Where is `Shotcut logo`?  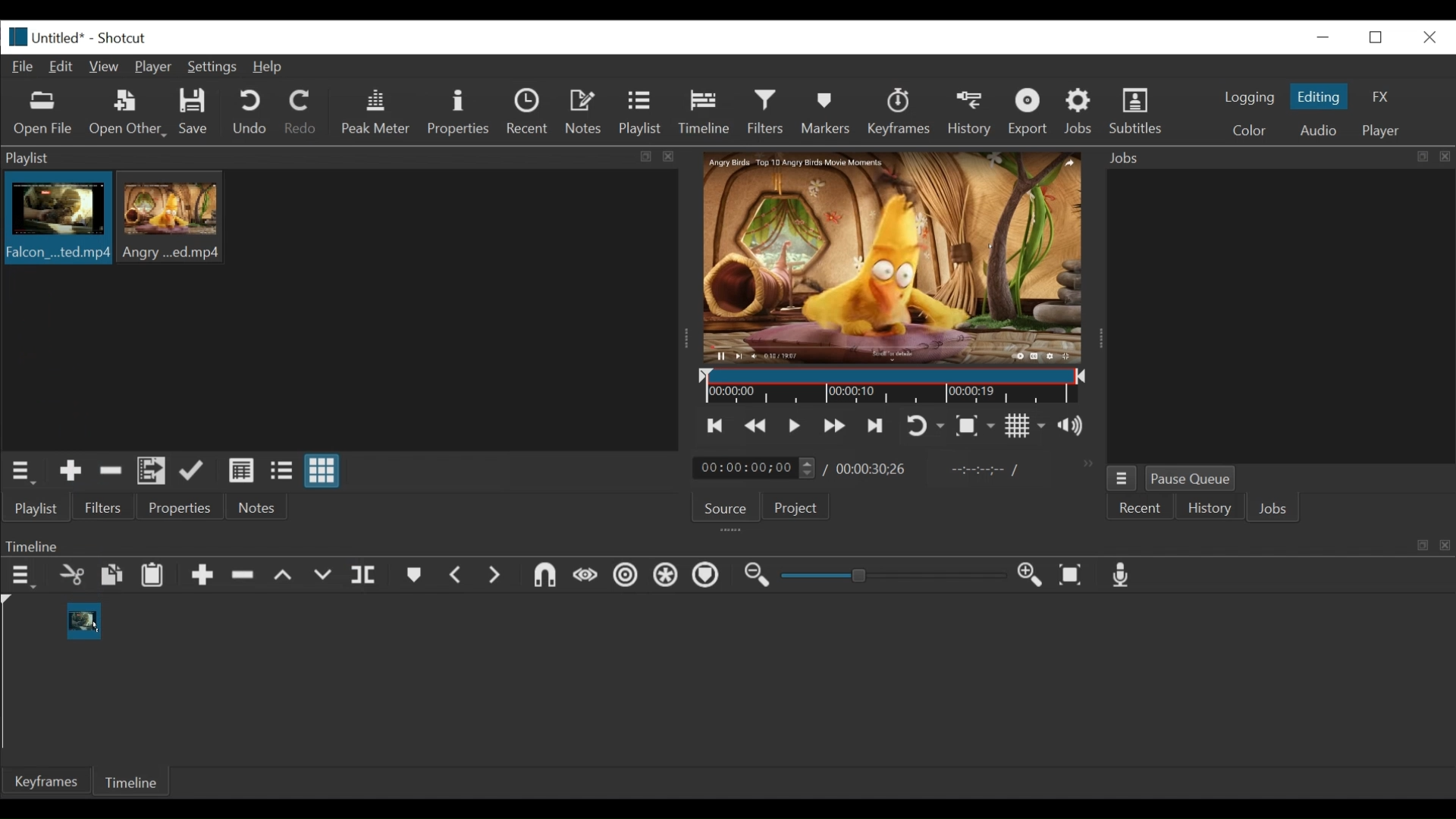 Shotcut logo is located at coordinates (14, 35).